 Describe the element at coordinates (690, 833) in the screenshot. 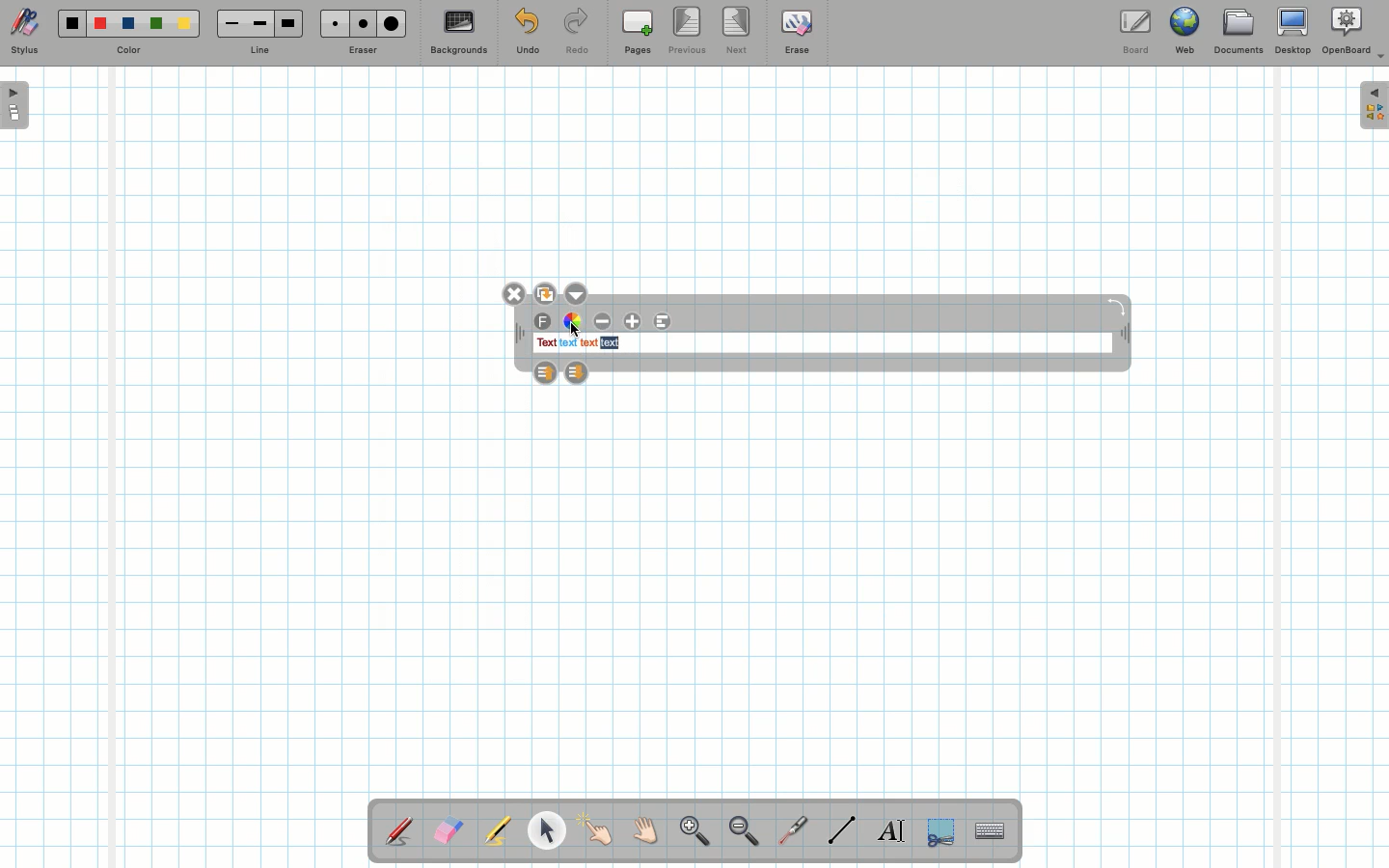

I see `Zoom in` at that location.